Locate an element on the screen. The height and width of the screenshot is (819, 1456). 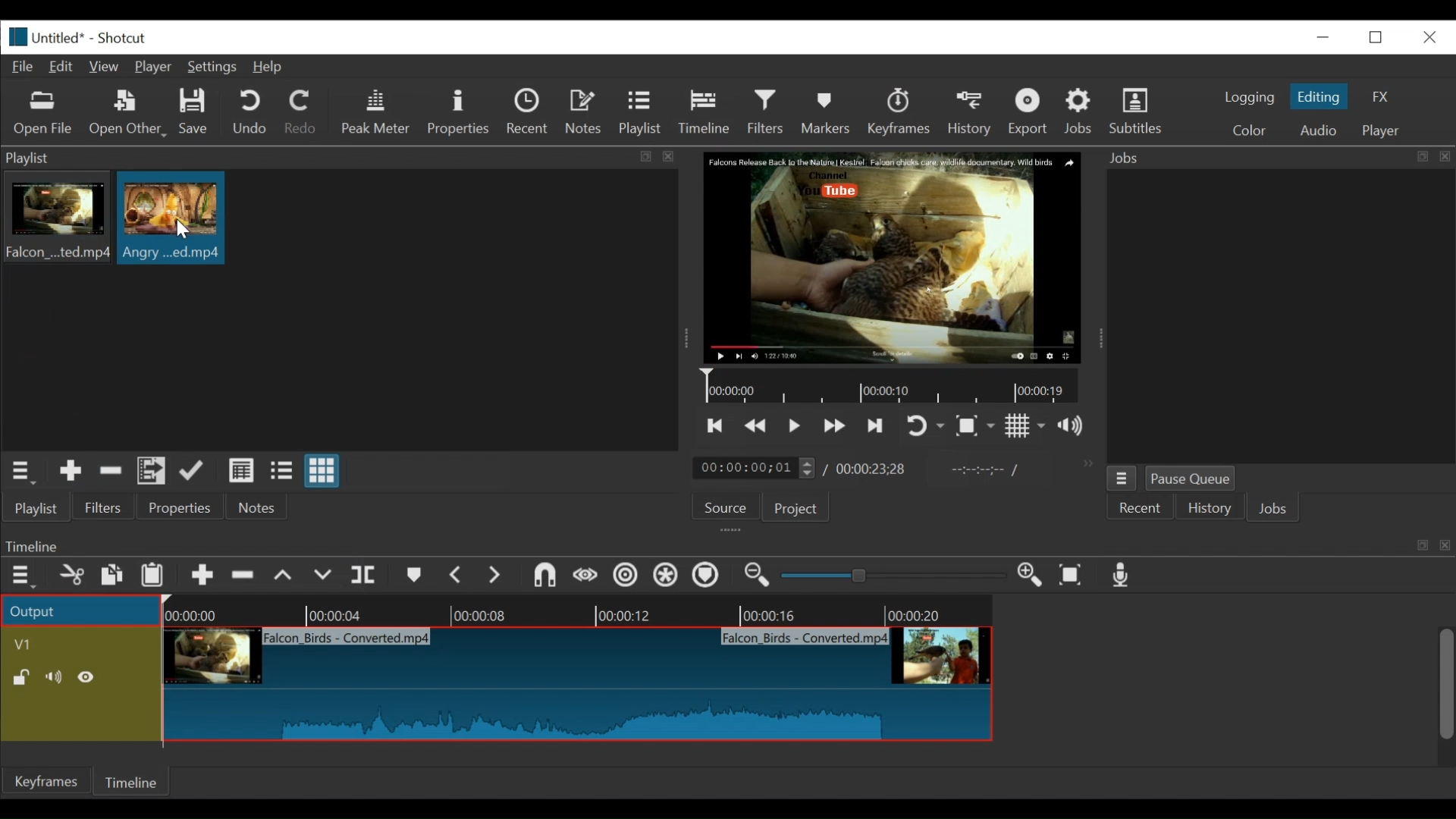
Timeline is located at coordinates (894, 387).